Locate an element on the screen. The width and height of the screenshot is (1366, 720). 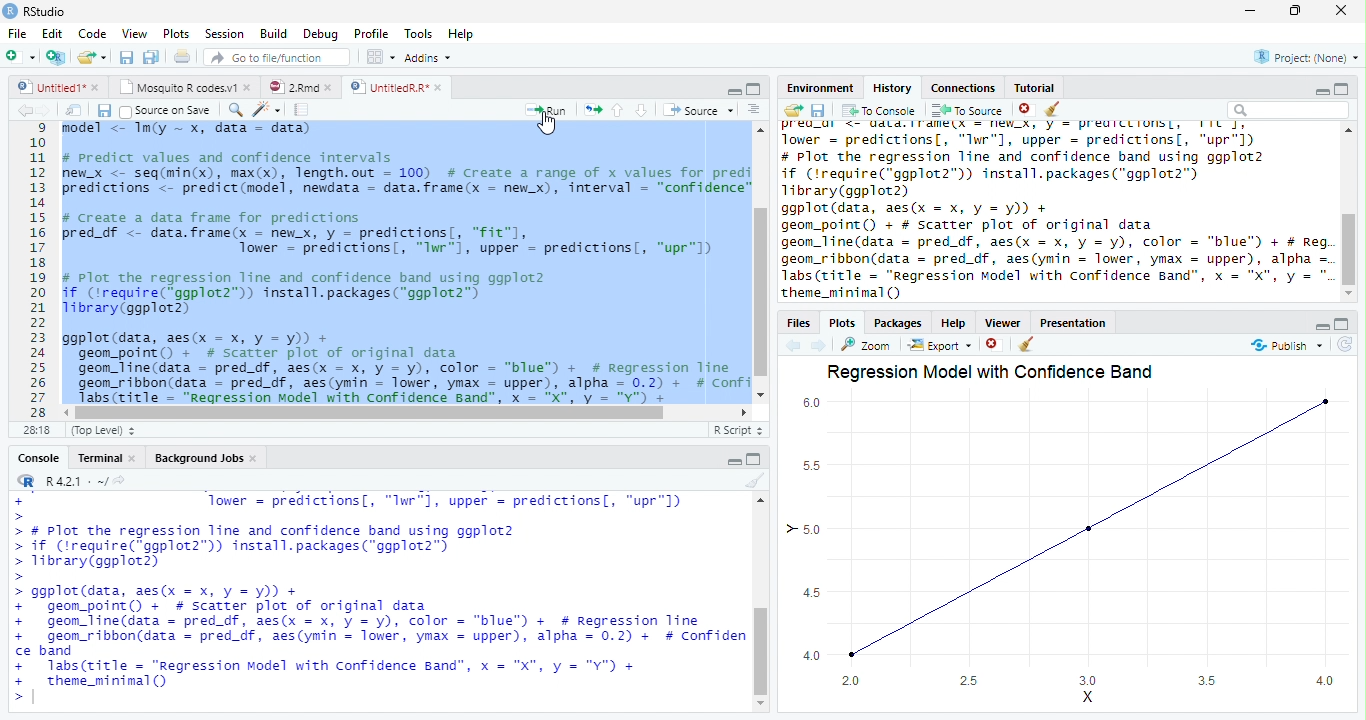
Save  is located at coordinates (130, 59).